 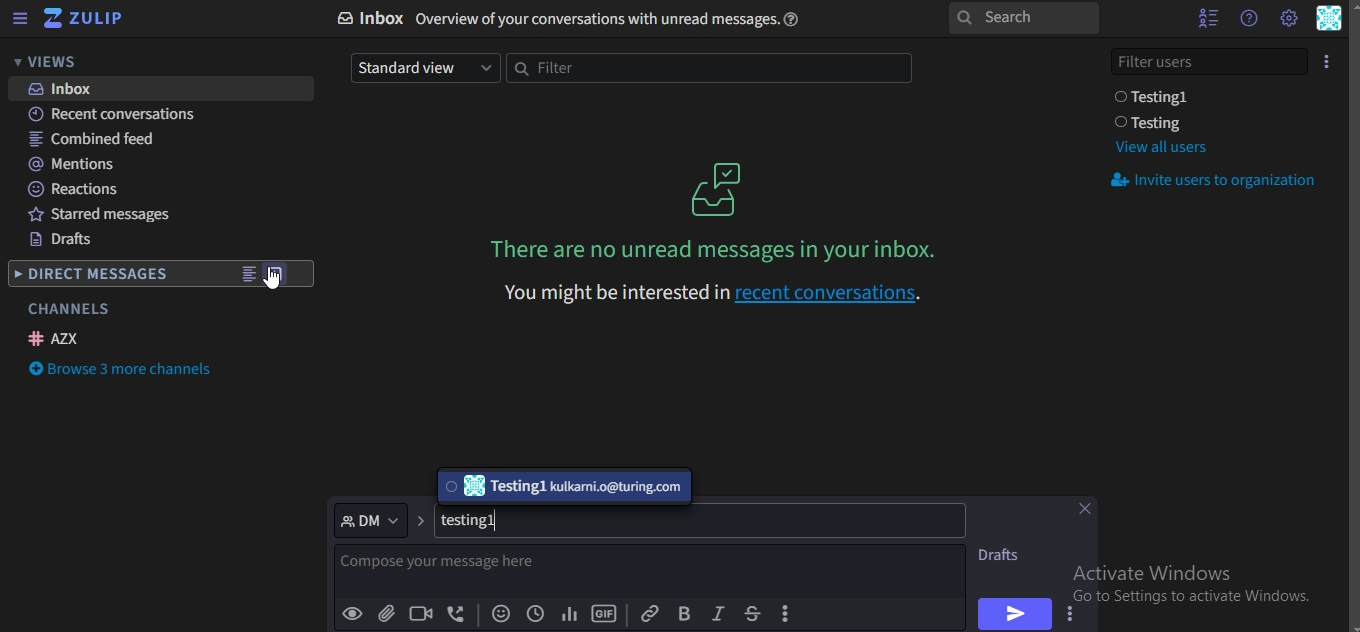 What do you see at coordinates (502, 615) in the screenshot?
I see `add emoji` at bounding box center [502, 615].